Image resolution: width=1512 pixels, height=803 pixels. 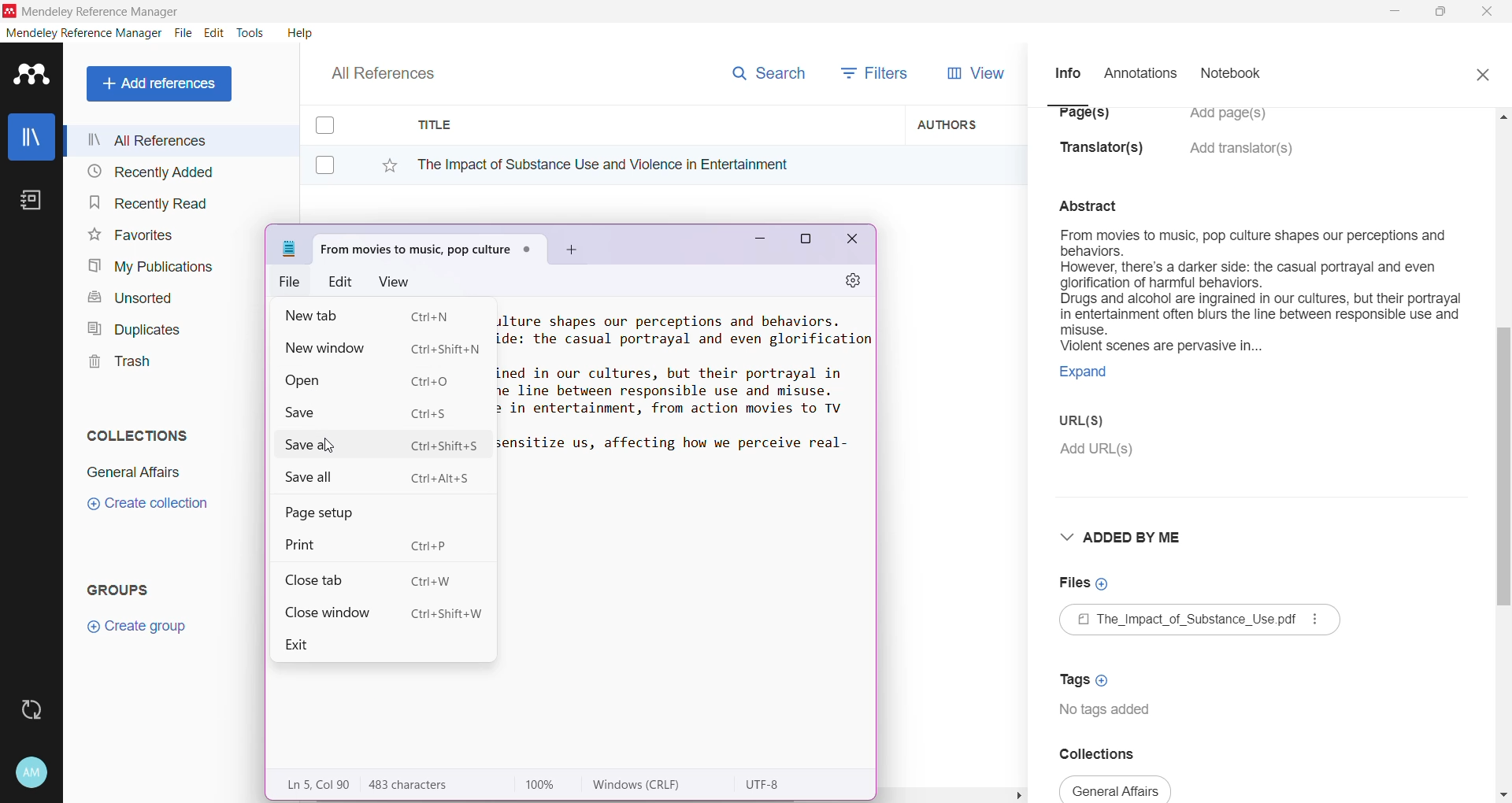 I want to click on New Window, so click(x=387, y=347).